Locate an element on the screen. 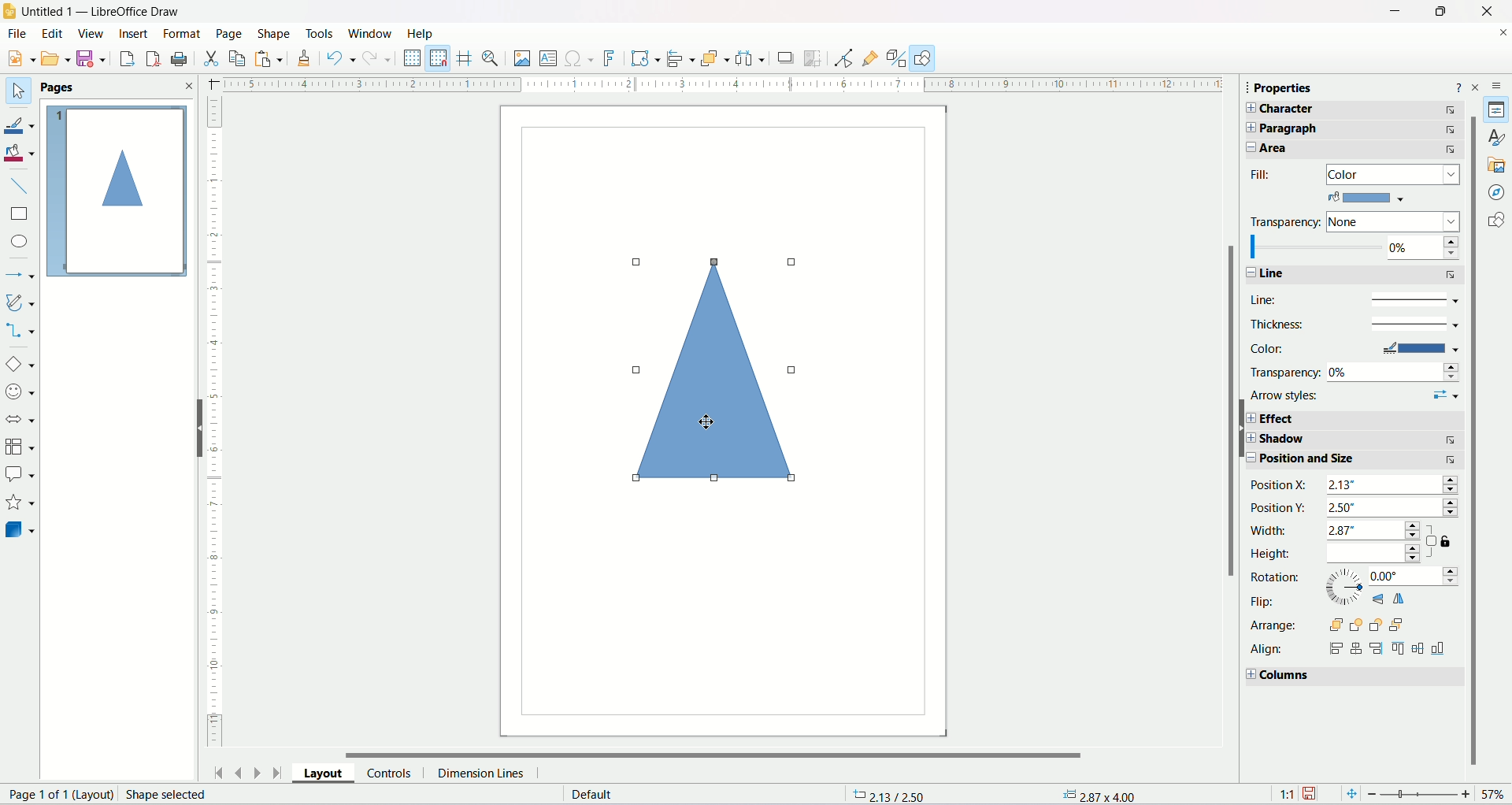 This screenshot has height=805, width=1512. Triangle is located at coordinates (721, 371).